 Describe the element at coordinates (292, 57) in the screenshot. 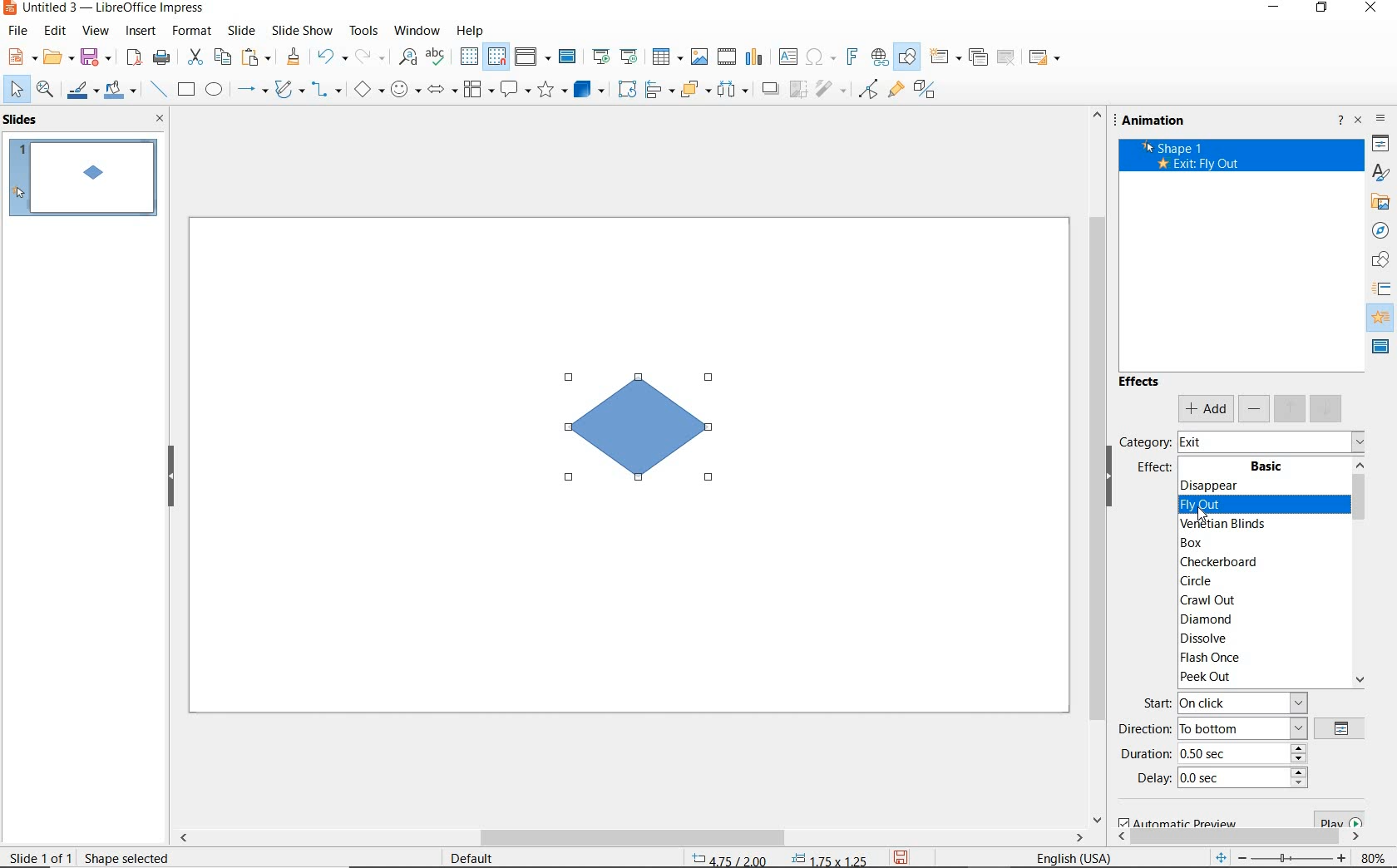

I see `clone formatting` at that location.